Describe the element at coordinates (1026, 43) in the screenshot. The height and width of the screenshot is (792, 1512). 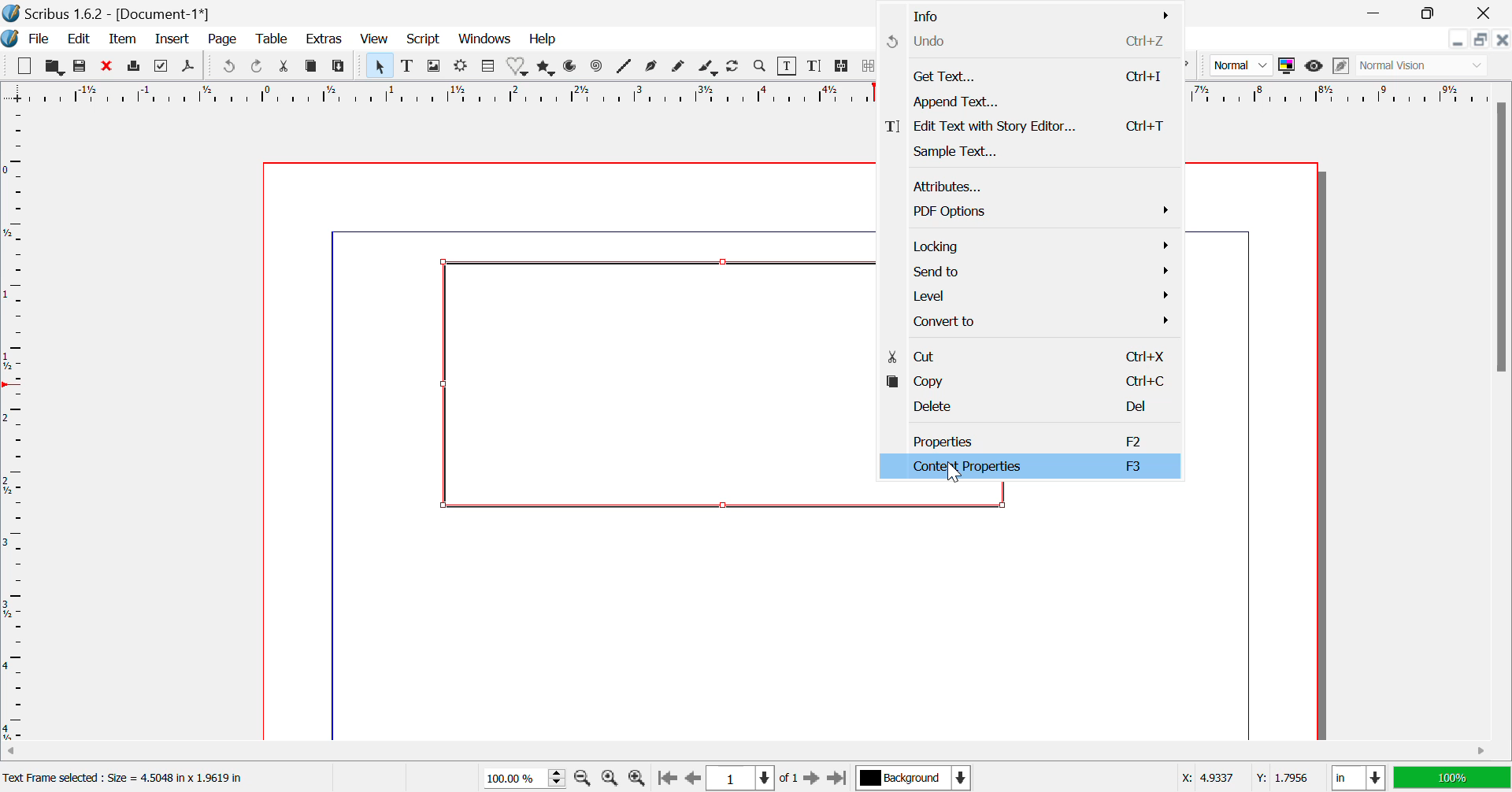
I see `Undo` at that location.